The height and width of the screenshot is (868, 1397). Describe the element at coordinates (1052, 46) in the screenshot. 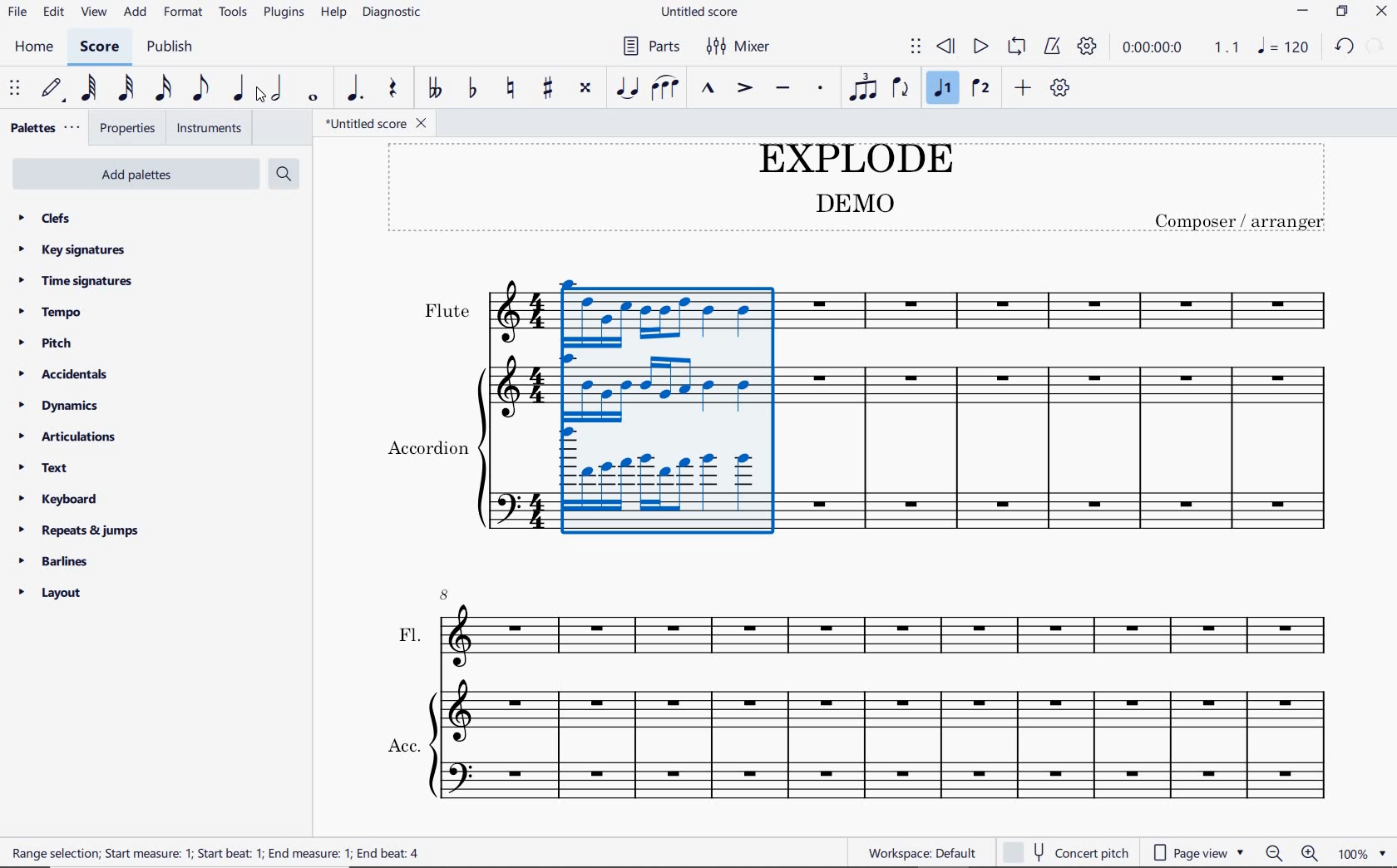

I see `metronome` at that location.